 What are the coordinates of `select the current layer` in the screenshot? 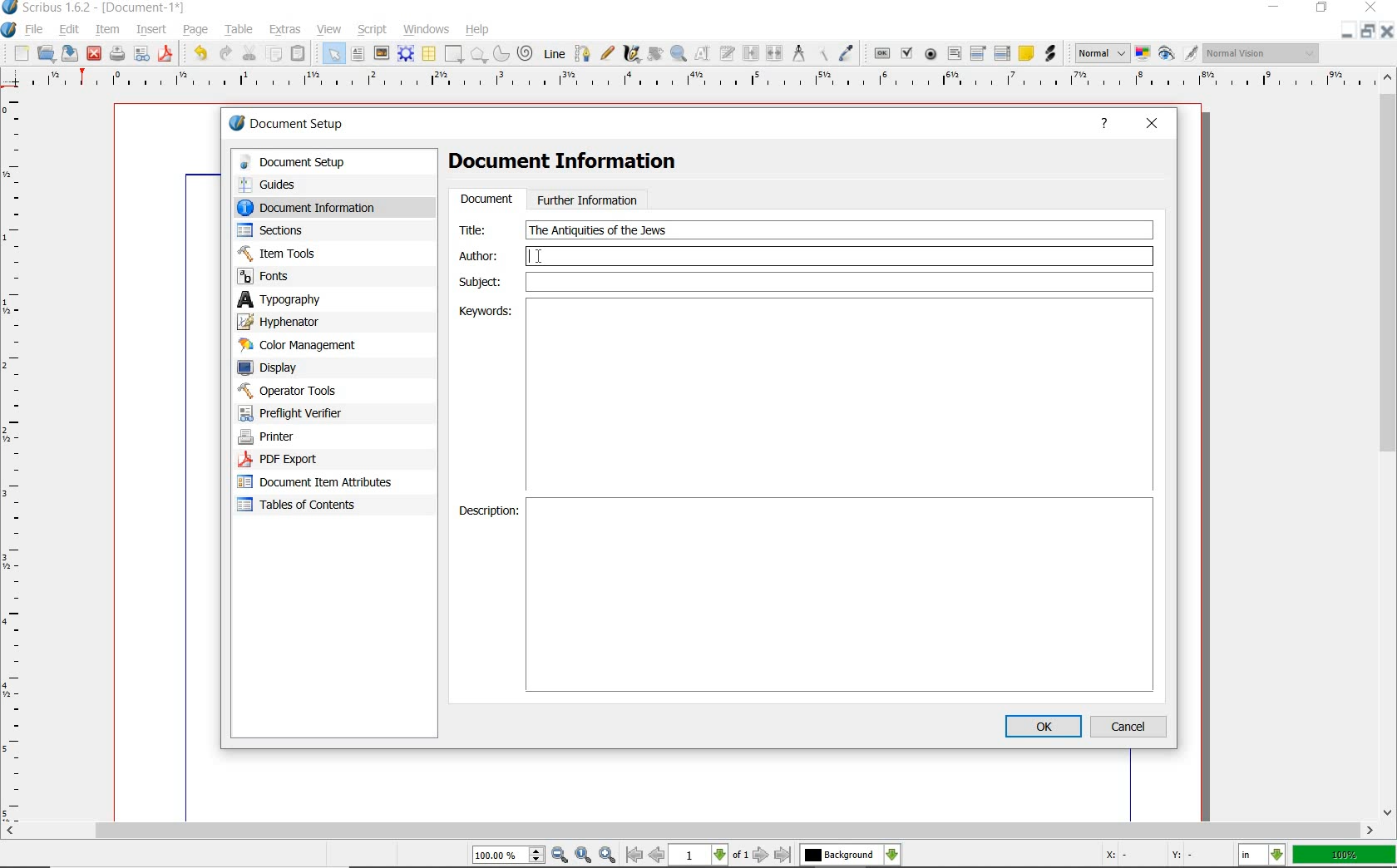 It's located at (851, 855).